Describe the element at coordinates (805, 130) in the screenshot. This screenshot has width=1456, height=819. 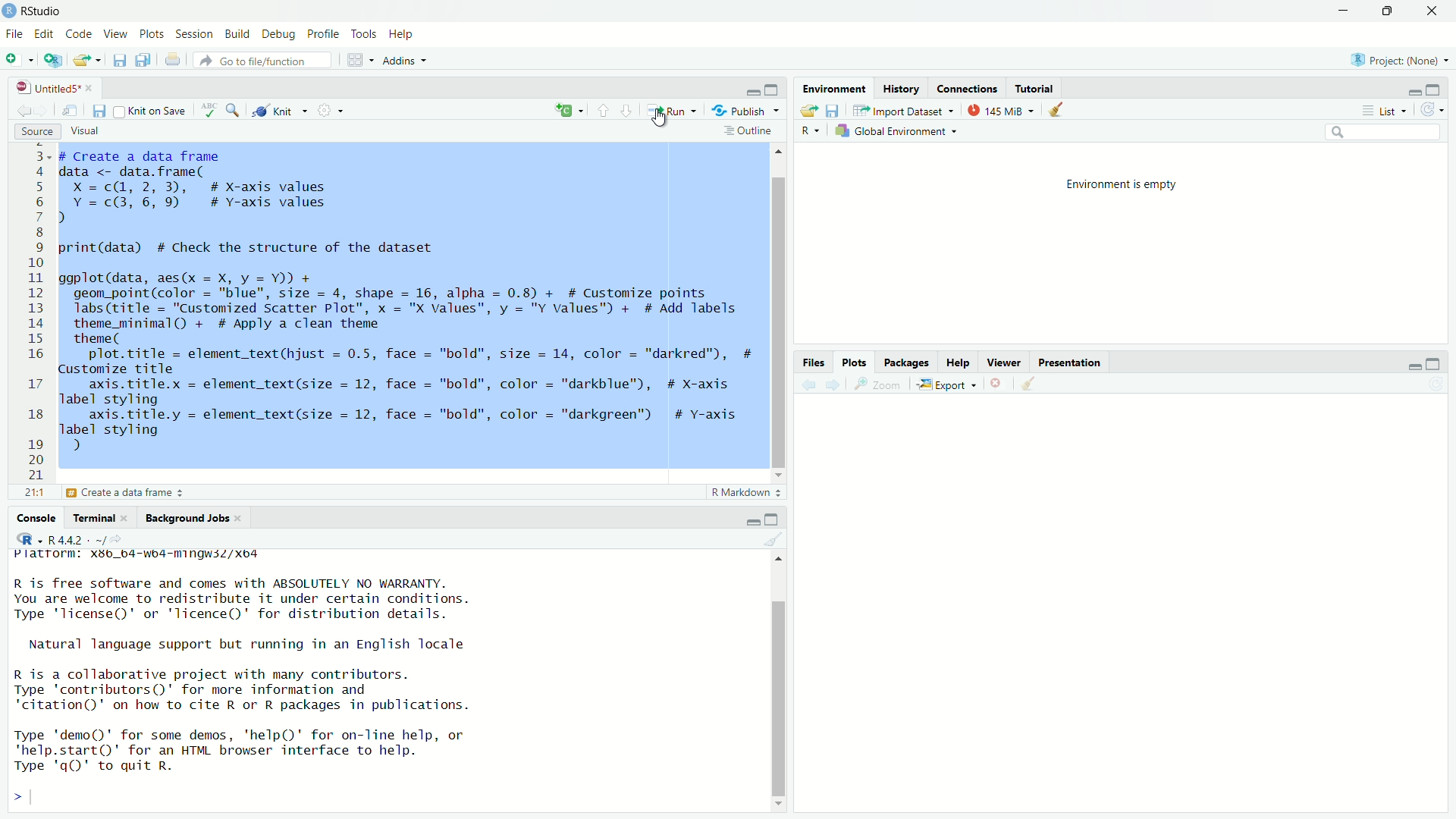
I see `R` at that location.